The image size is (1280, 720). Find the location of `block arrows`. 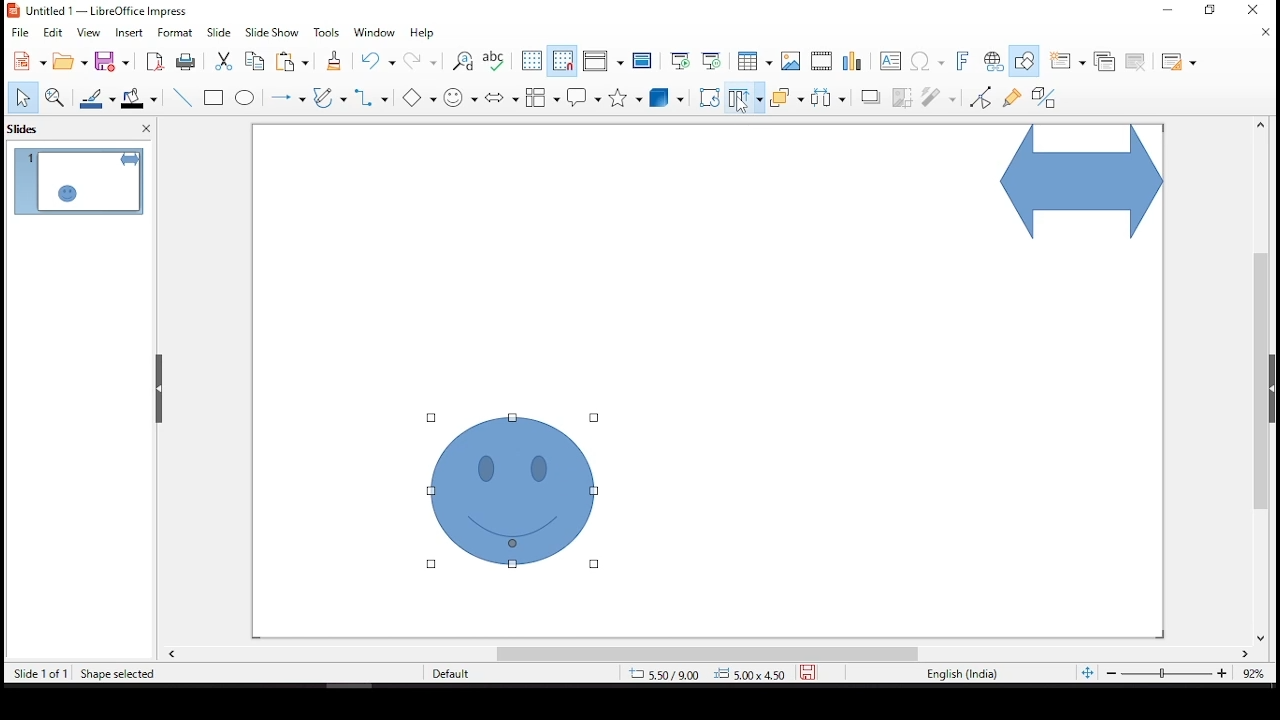

block arrows is located at coordinates (502, 99).